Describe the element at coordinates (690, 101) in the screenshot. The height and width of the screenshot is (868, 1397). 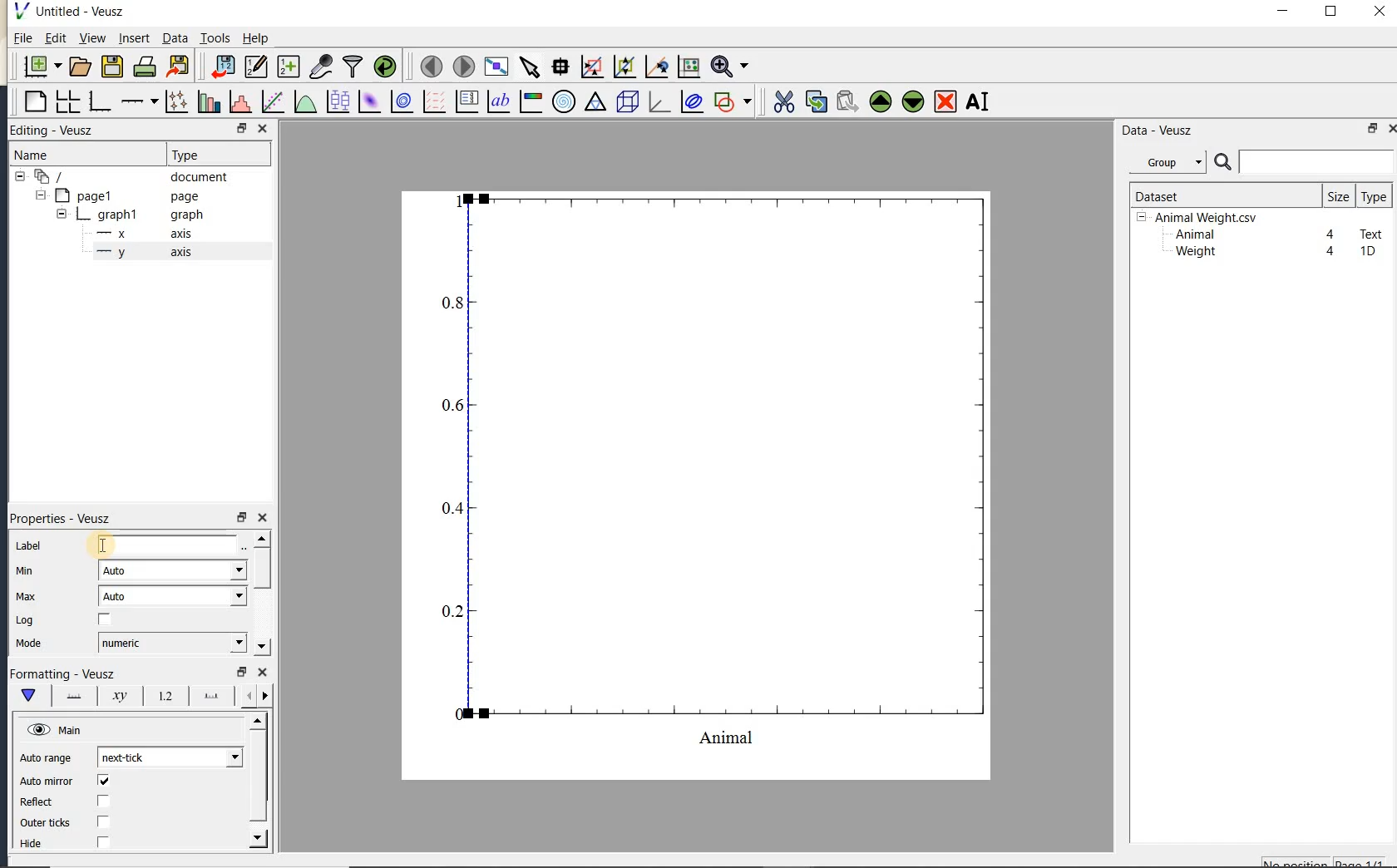
I see `plot covariance ellipses` at that location.